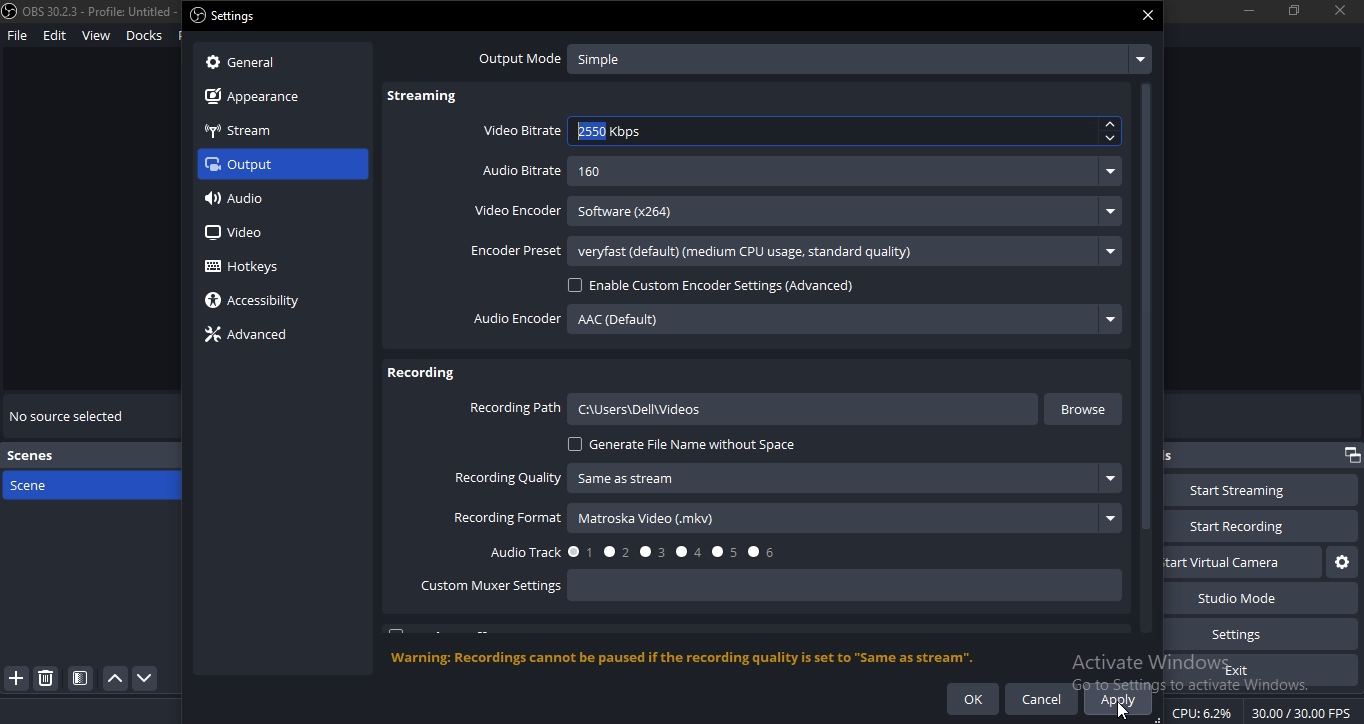 This screenshot has height=724, width=1364. What do you see at coordinates (147, 678) in the screenshot?
I see `move down scene` at bounding box center [147, 678].